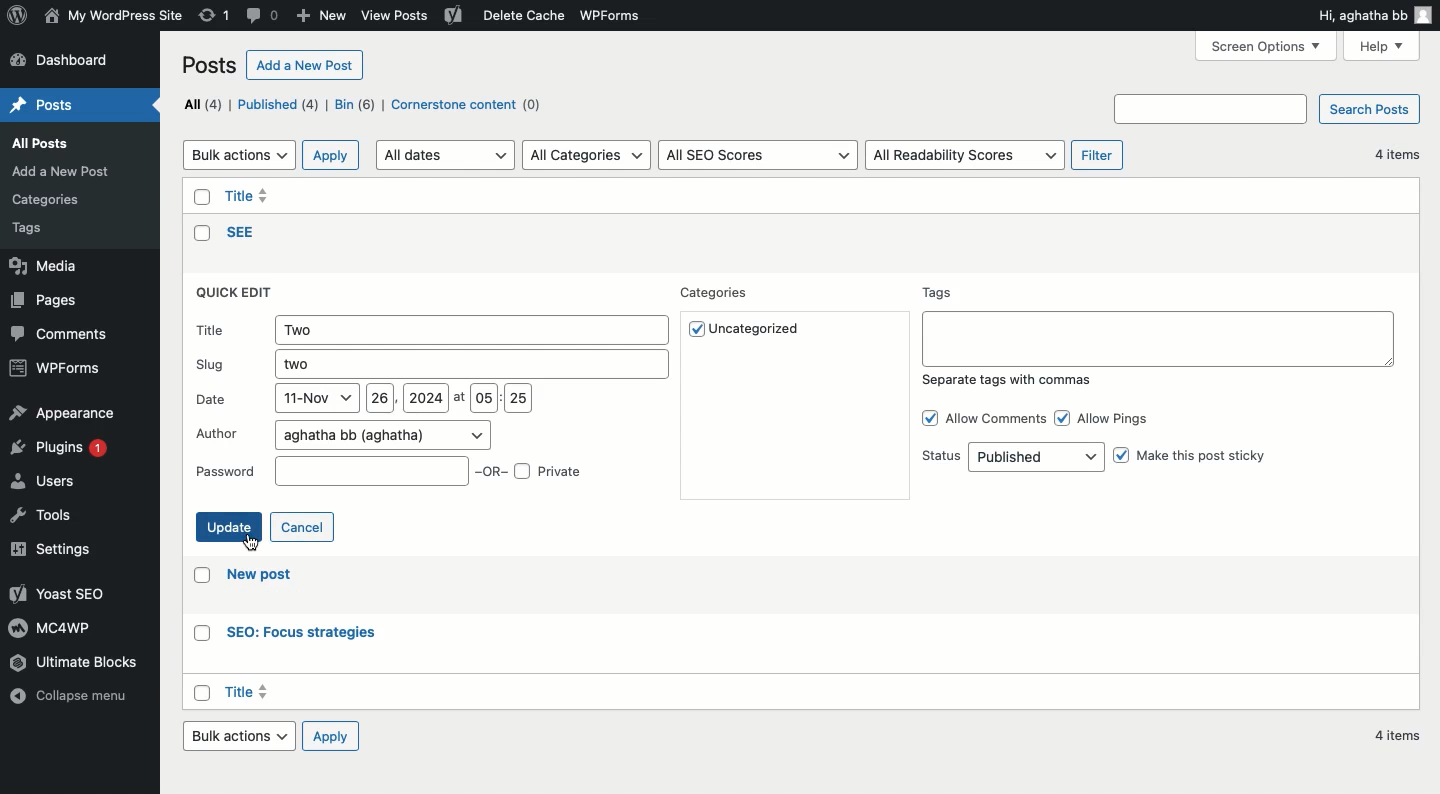  What do you see at coordinates (454, 17) in the screenshot?
I see `Yoast` at bounding box center [454, 17].